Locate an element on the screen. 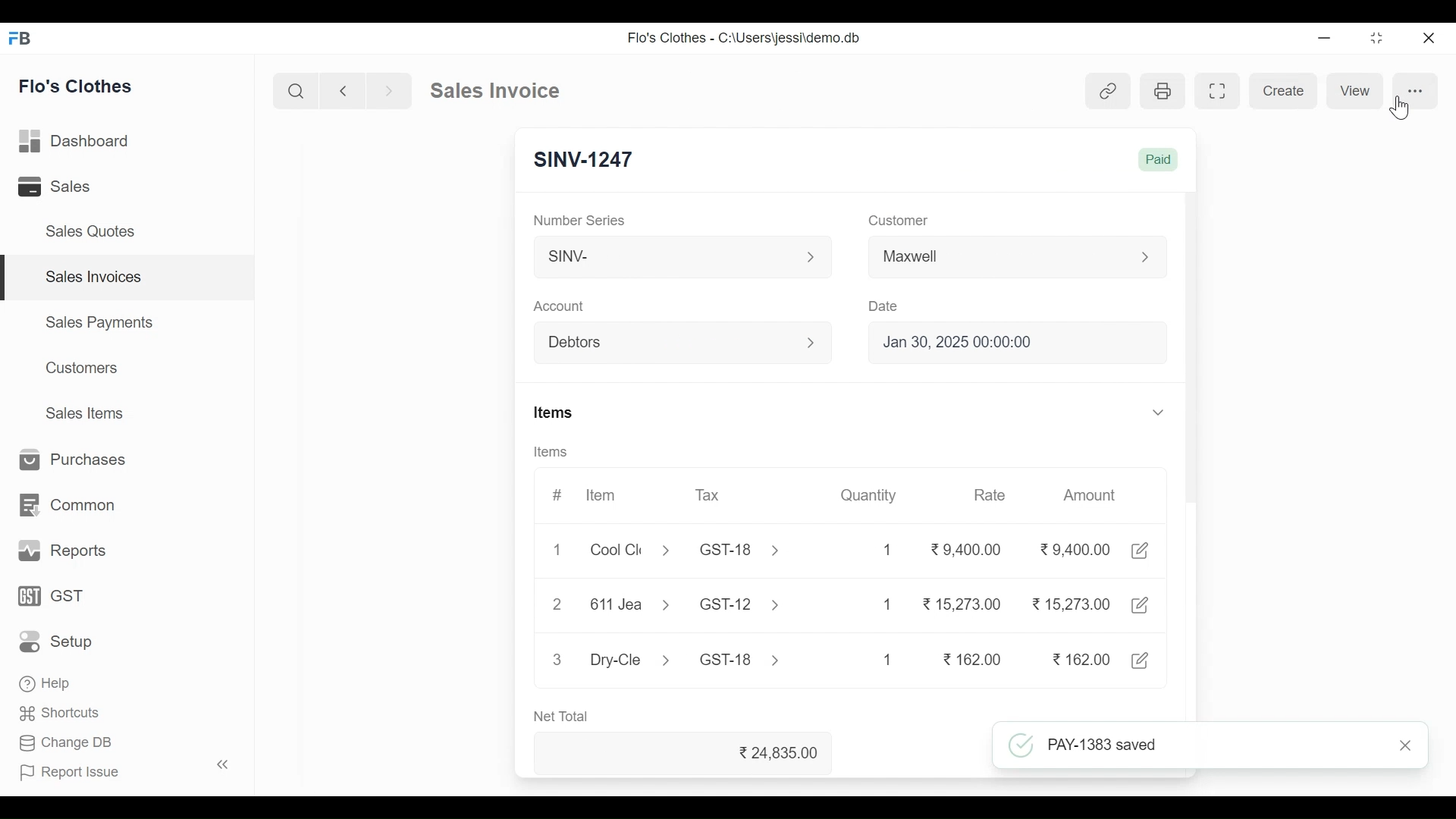 This screenshot has width=1456, height=819. 162.00 is located at coordinates (1079, 658).